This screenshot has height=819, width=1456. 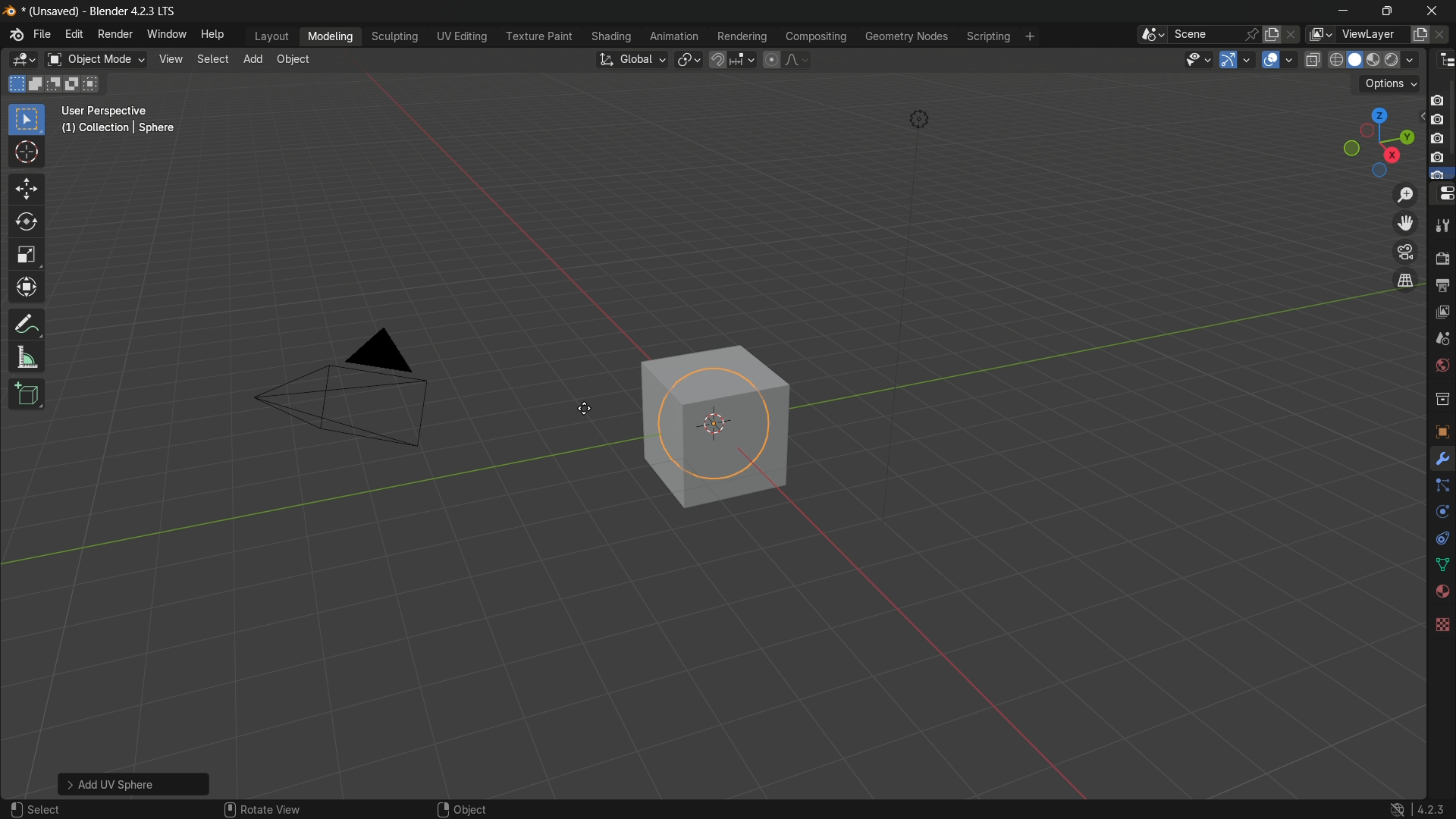 What do you see at coordinates (1441, 133) in the screenshot?
I see `camera` at bounding box center [1441, 133].